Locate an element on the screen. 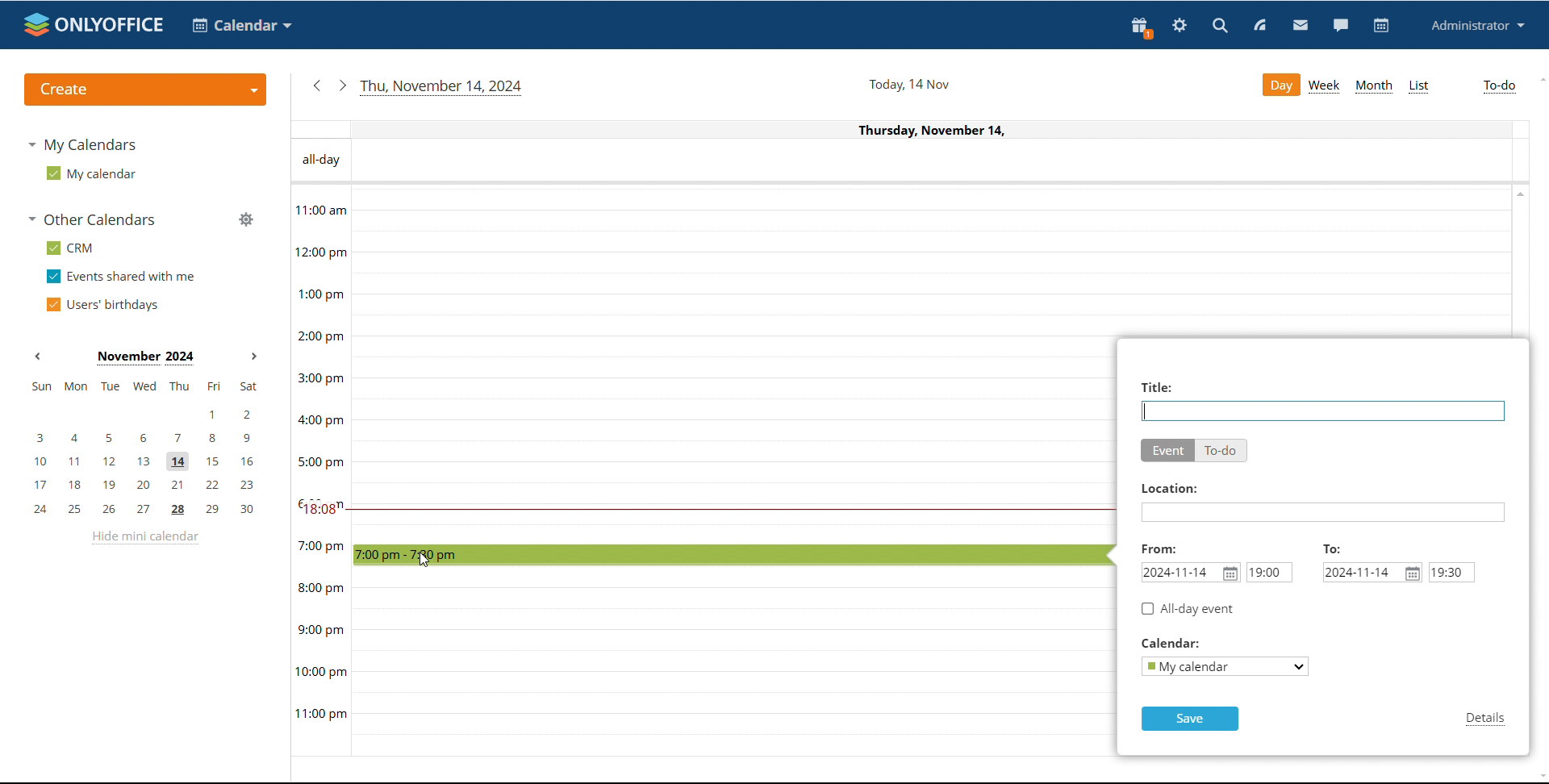 Image resolution: width=1549 pixels, height=784 pixels. manage is located at coordinates (244, 219).